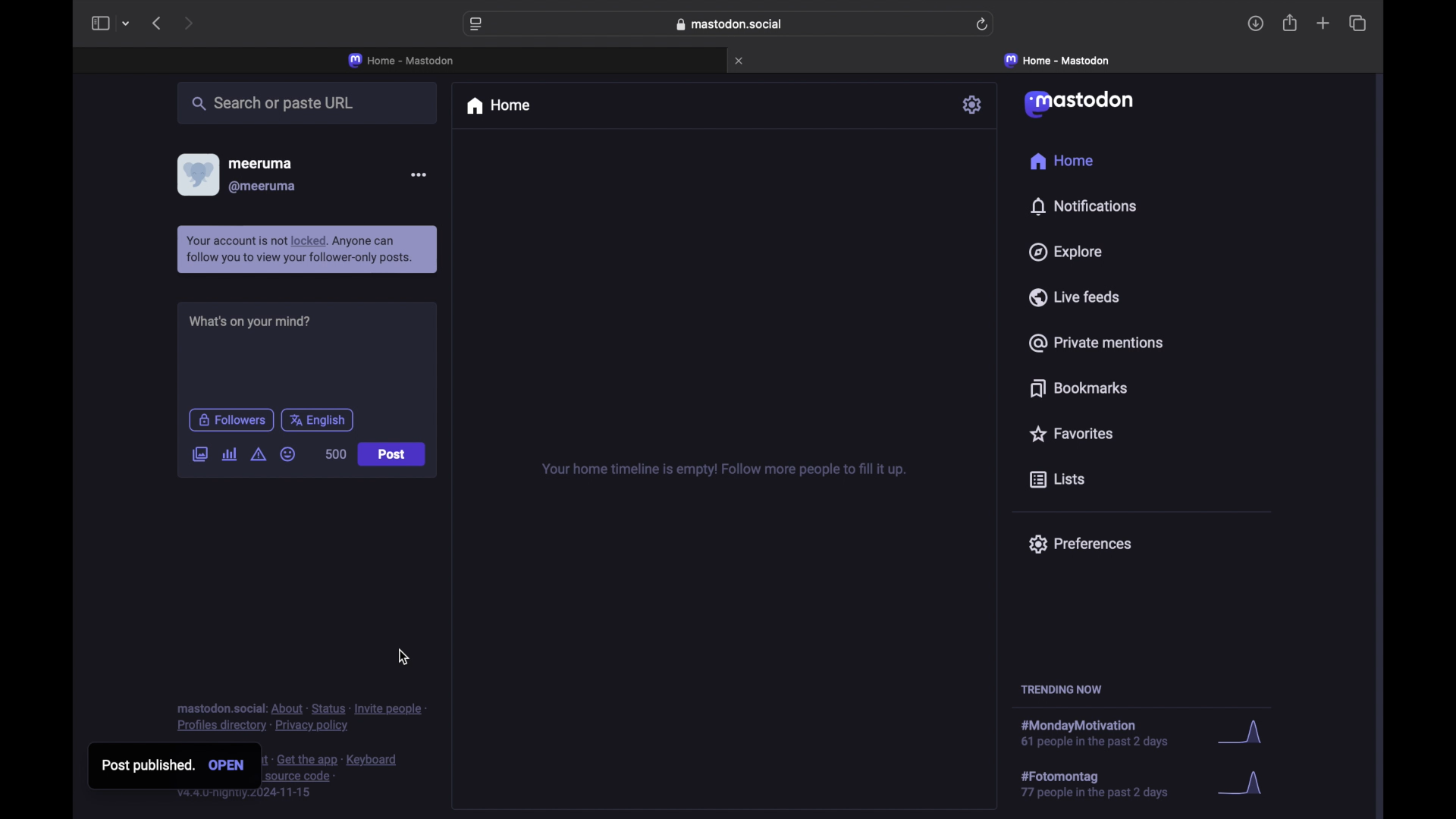  Describe the element at coordinates (1357, 23) in the screenshot. I see `show tab overview` at that location.